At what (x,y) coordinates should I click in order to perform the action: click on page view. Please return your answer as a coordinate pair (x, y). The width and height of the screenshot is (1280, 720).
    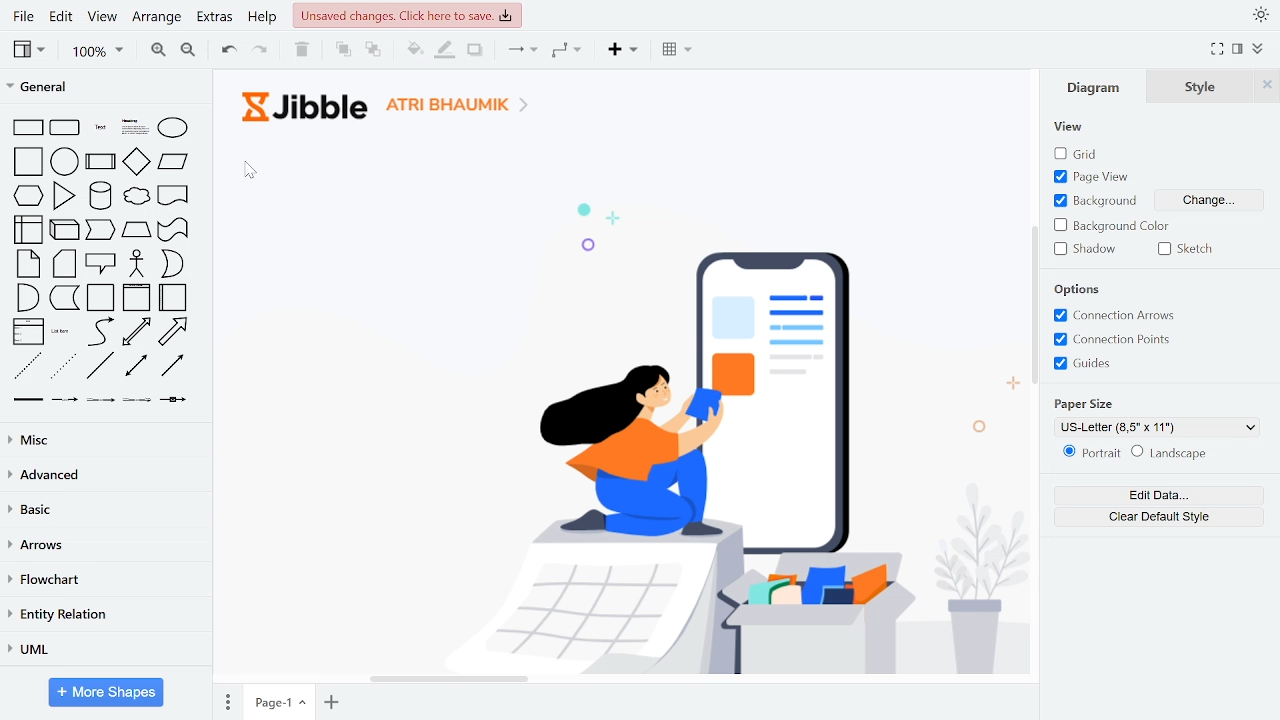
    Looking at the image, I should click on (1094, 178).